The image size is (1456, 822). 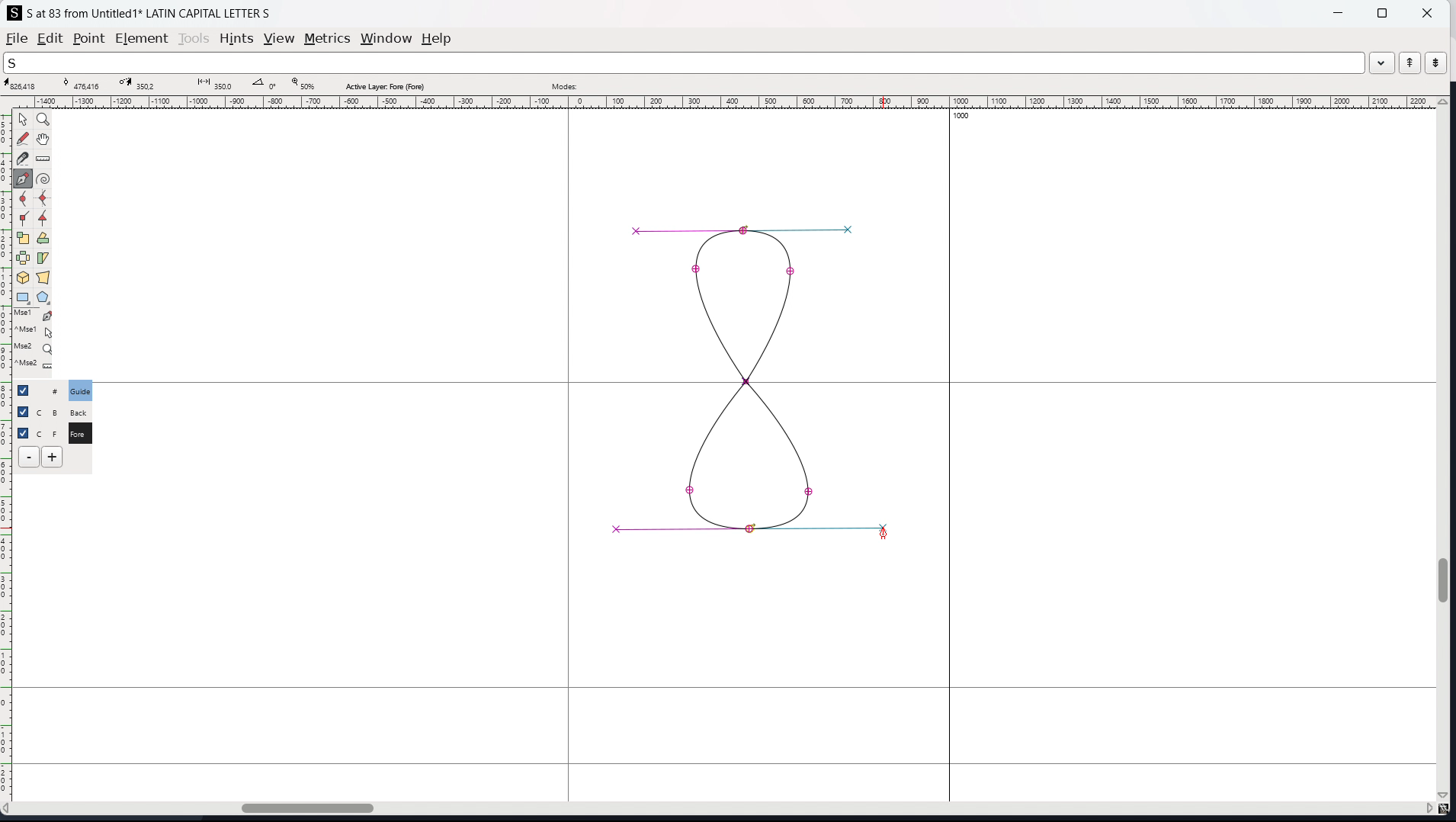 What do you see at coordinates (23, 258) in the screenshot?
I see `flip the selection` at bounding box center [23, 258].